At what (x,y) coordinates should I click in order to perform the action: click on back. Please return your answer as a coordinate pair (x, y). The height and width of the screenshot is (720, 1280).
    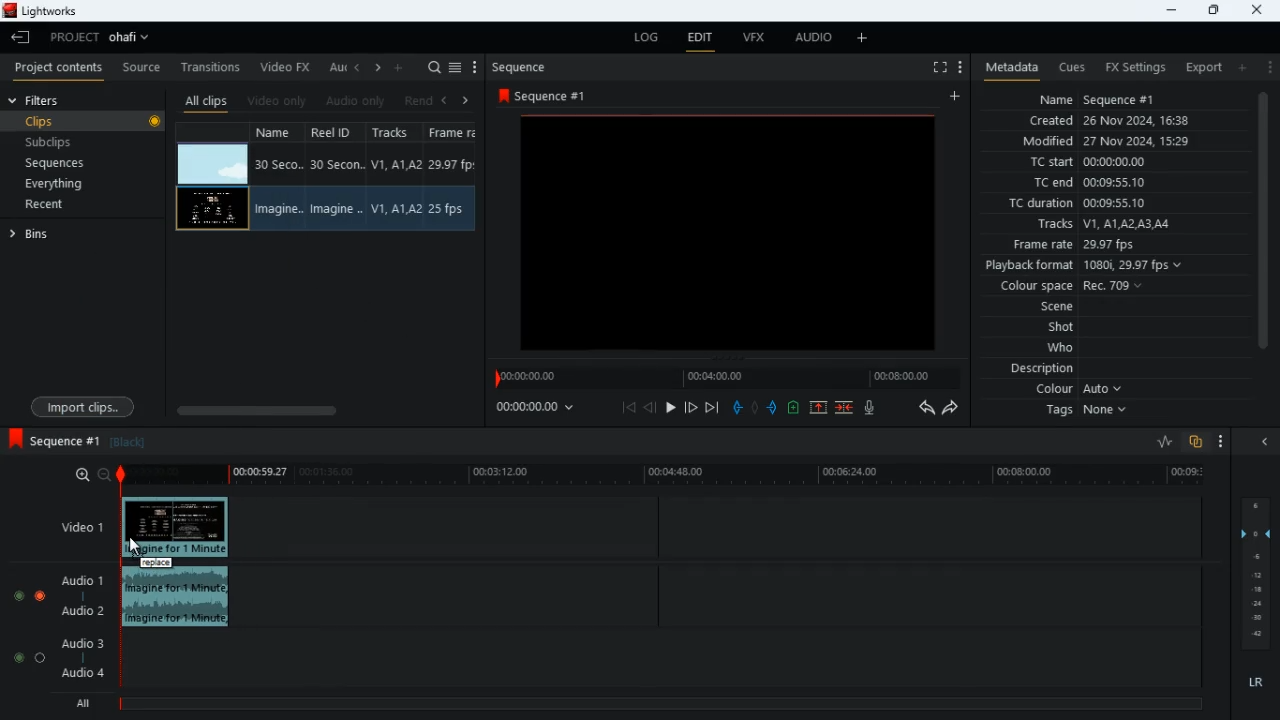
    Looking at the image, I should click on (443, 101).